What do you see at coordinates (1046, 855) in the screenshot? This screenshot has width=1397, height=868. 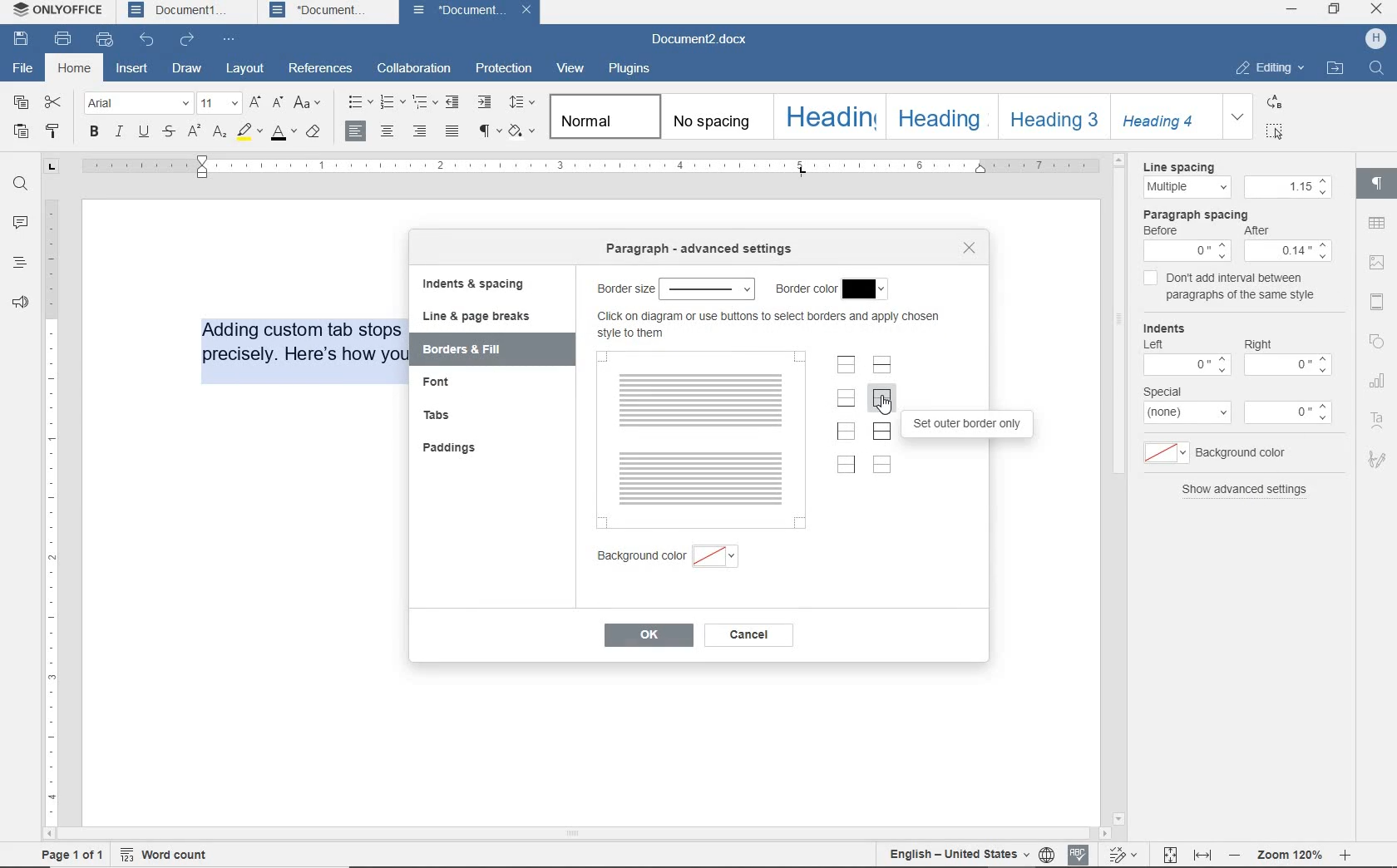 I see `set document language` at bounding box center [1046, 855].